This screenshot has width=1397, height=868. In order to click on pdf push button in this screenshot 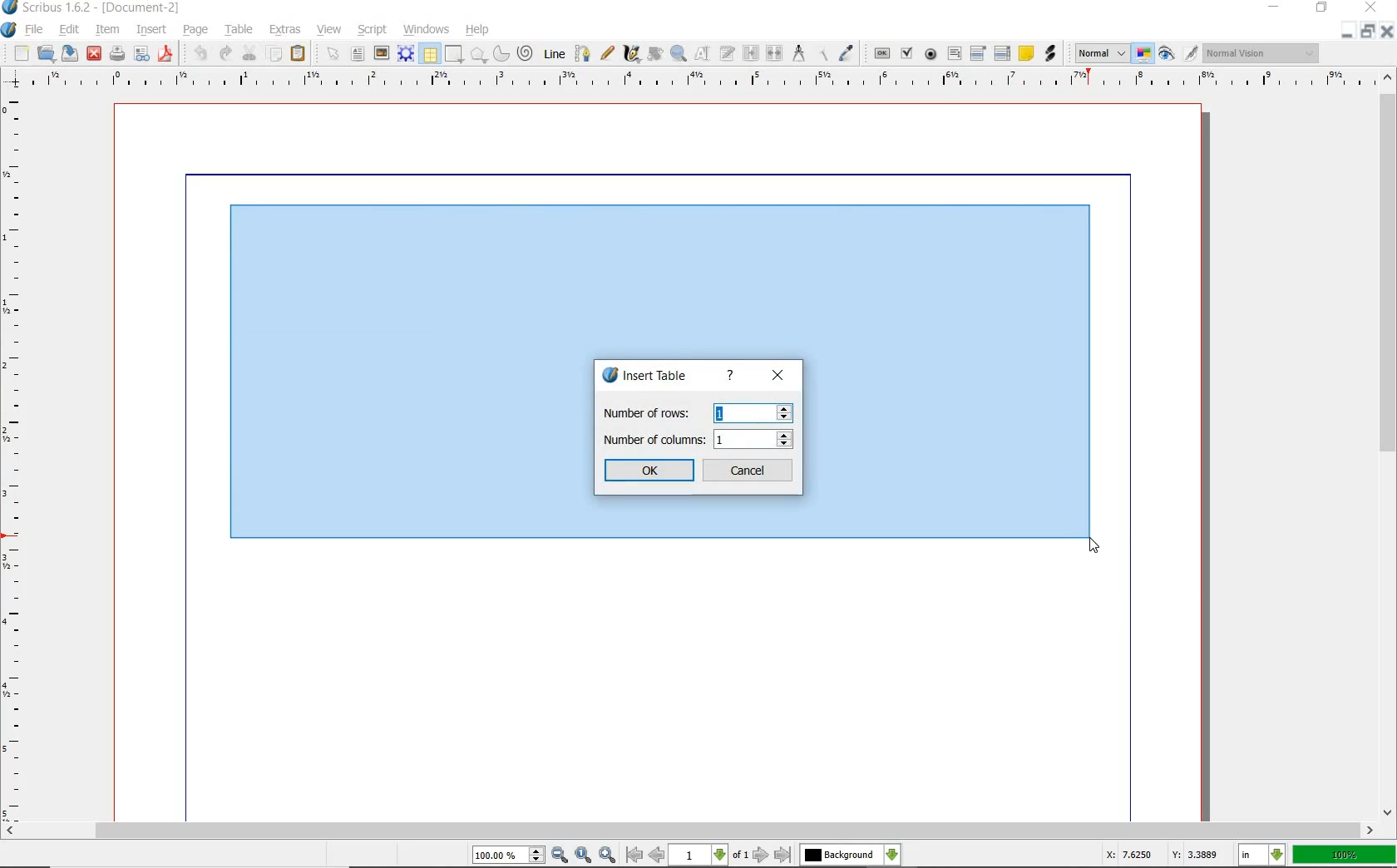, I will do `click(882, 54)`.